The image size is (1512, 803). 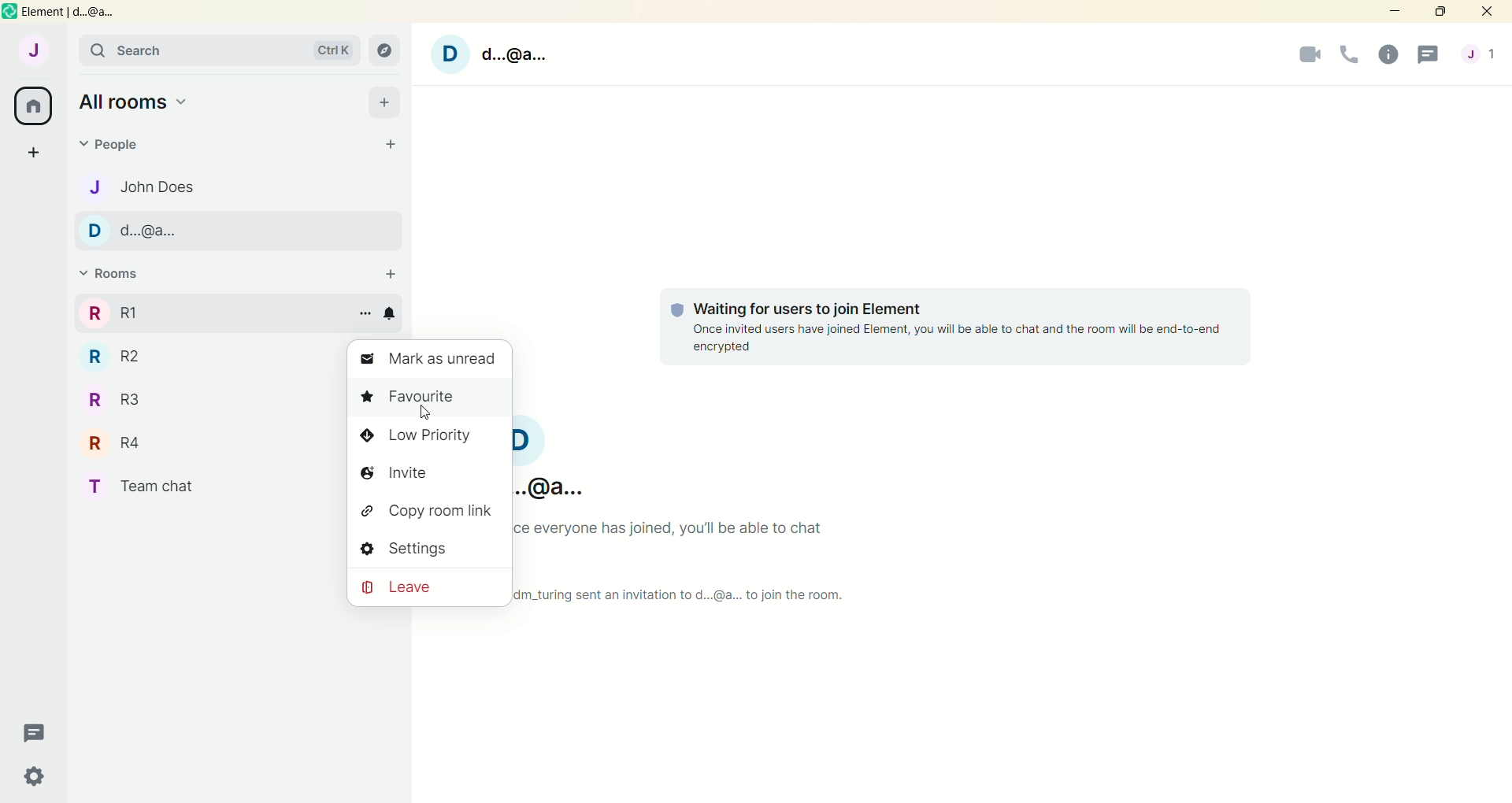 What do you see at coordinates (146, 105) in the screenshot?
I see `All rooms ` at bounding box center [146, 105].